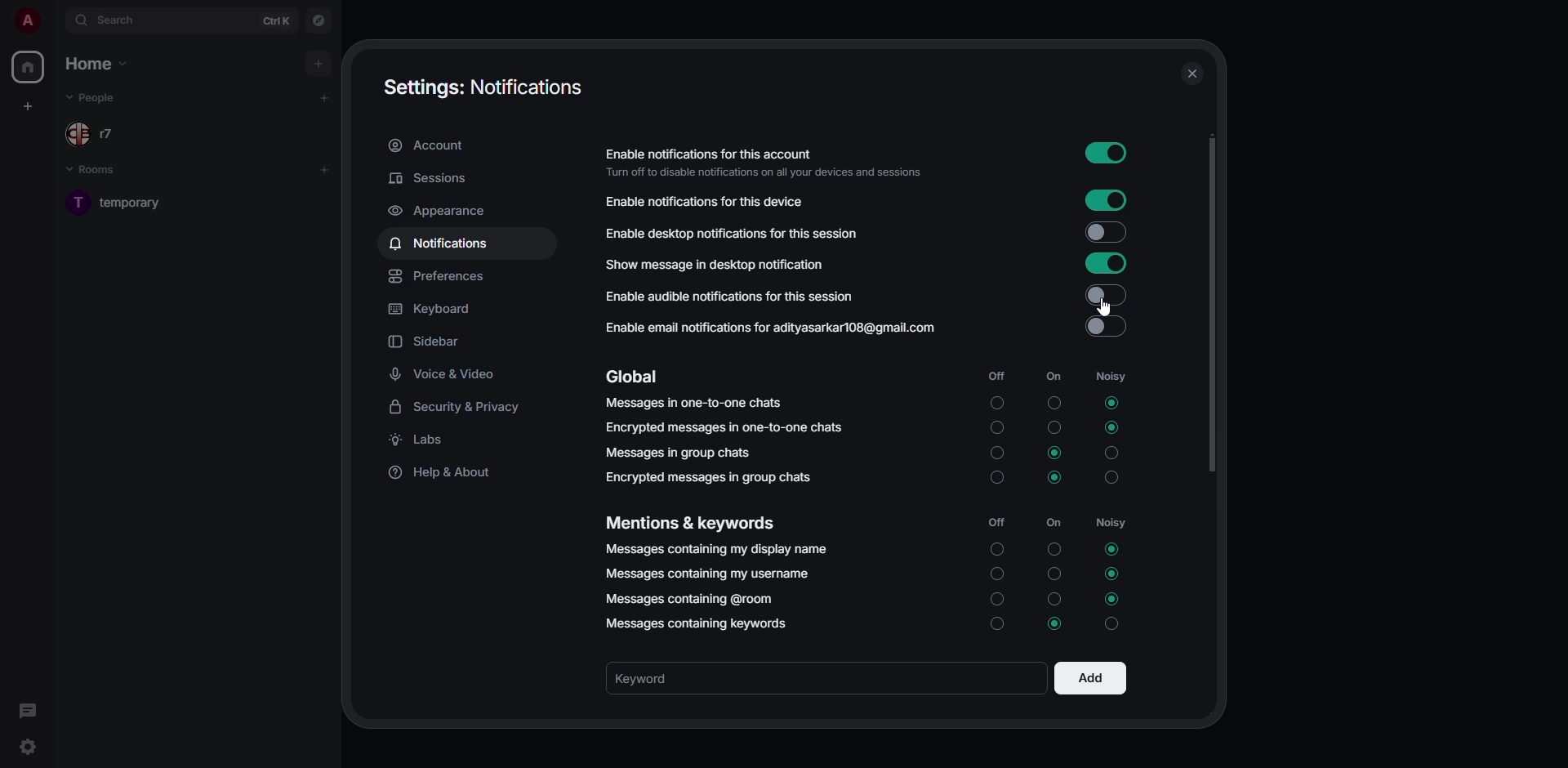 This screenshot has height=768, width=1568. Describe the element at coordinates (1191, 74) in the screenshot. I see `close` at that location.